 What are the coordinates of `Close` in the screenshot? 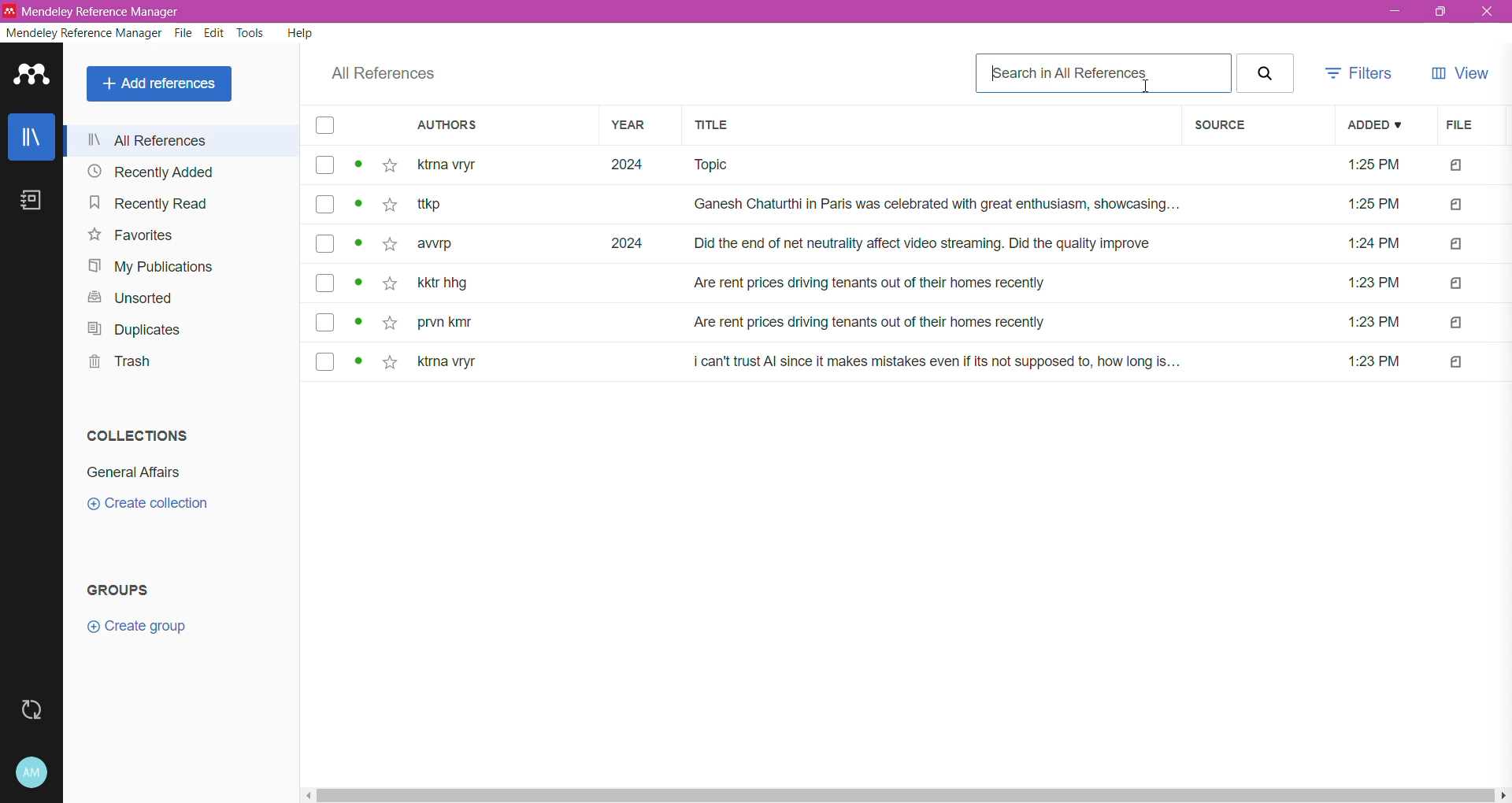 It's located at (1488, 13).